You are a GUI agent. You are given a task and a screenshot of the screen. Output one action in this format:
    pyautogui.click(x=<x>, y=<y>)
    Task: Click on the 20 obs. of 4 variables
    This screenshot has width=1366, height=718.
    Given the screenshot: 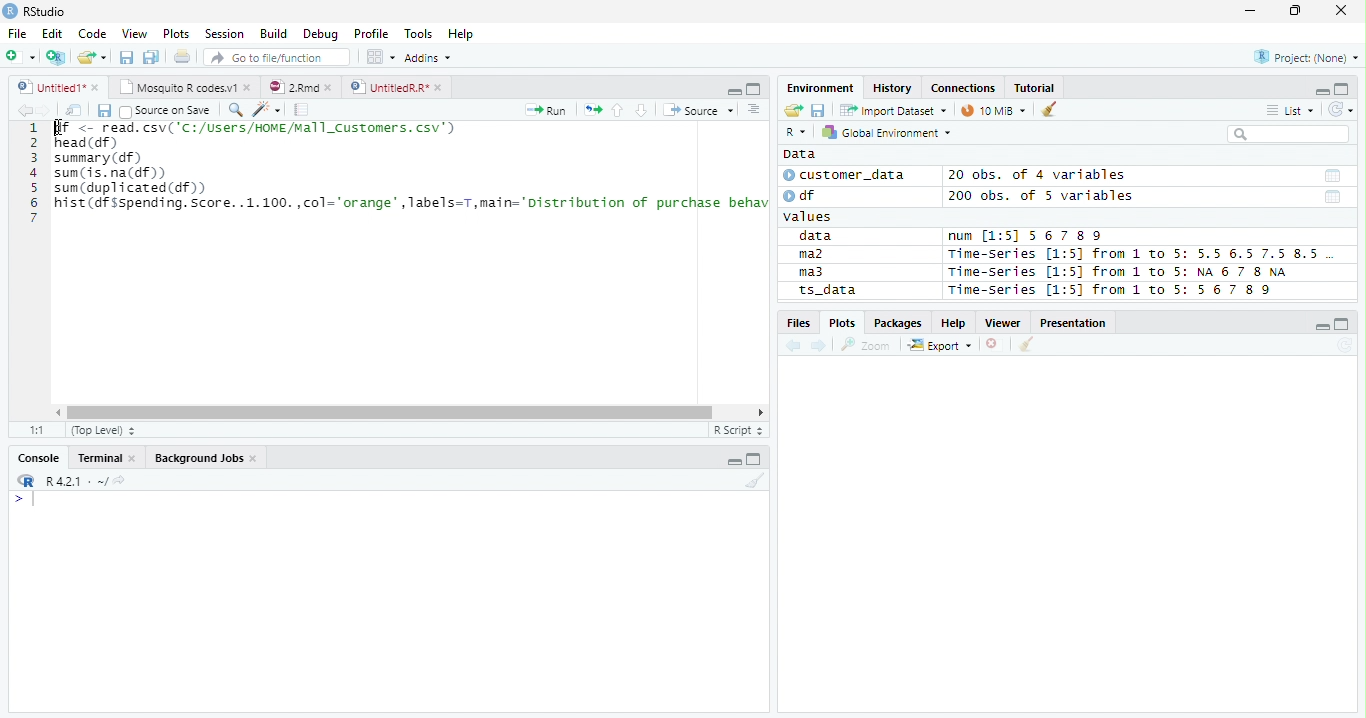 What is the action you would take?
    pyautogui.click(x=1038, y=177)
    